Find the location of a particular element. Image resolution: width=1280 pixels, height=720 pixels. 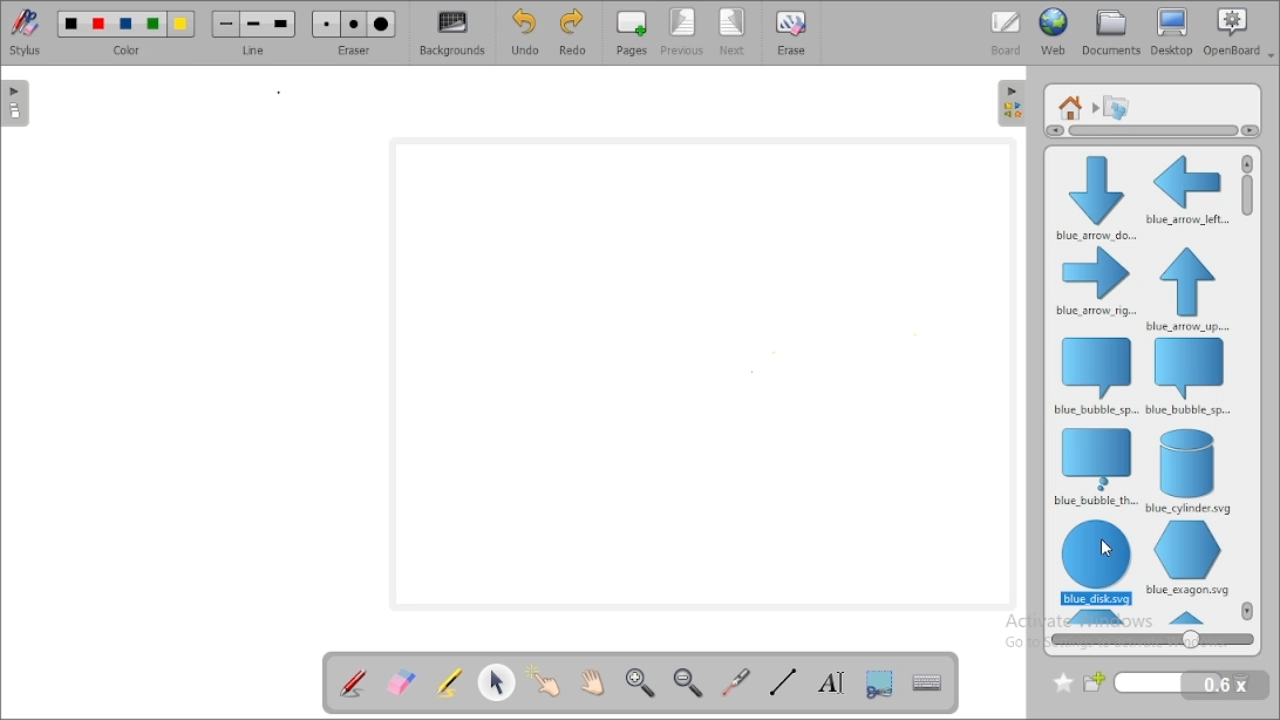

visual laser pointer is located at coordinates (737, 683).